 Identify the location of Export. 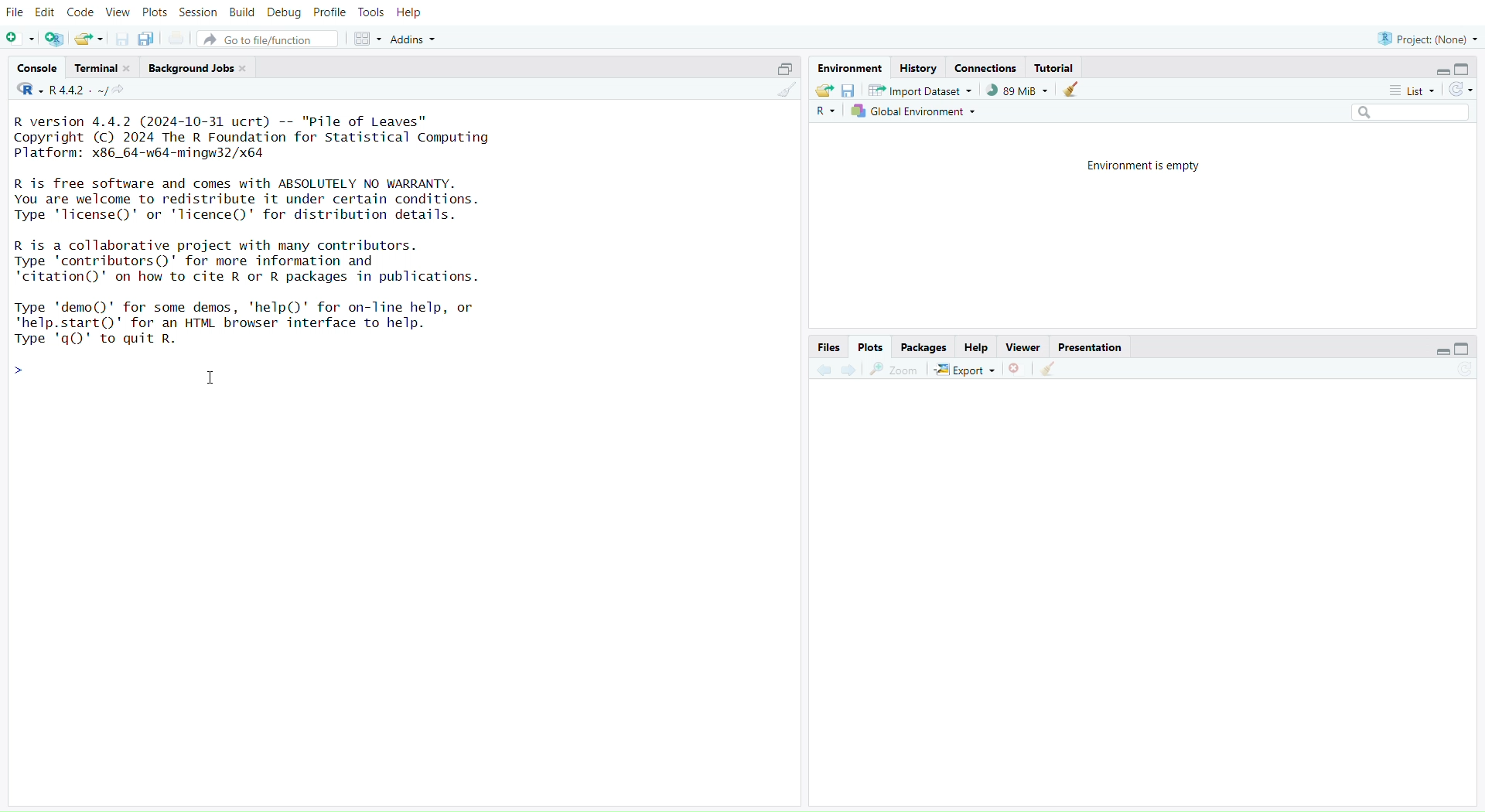
(965, 369).